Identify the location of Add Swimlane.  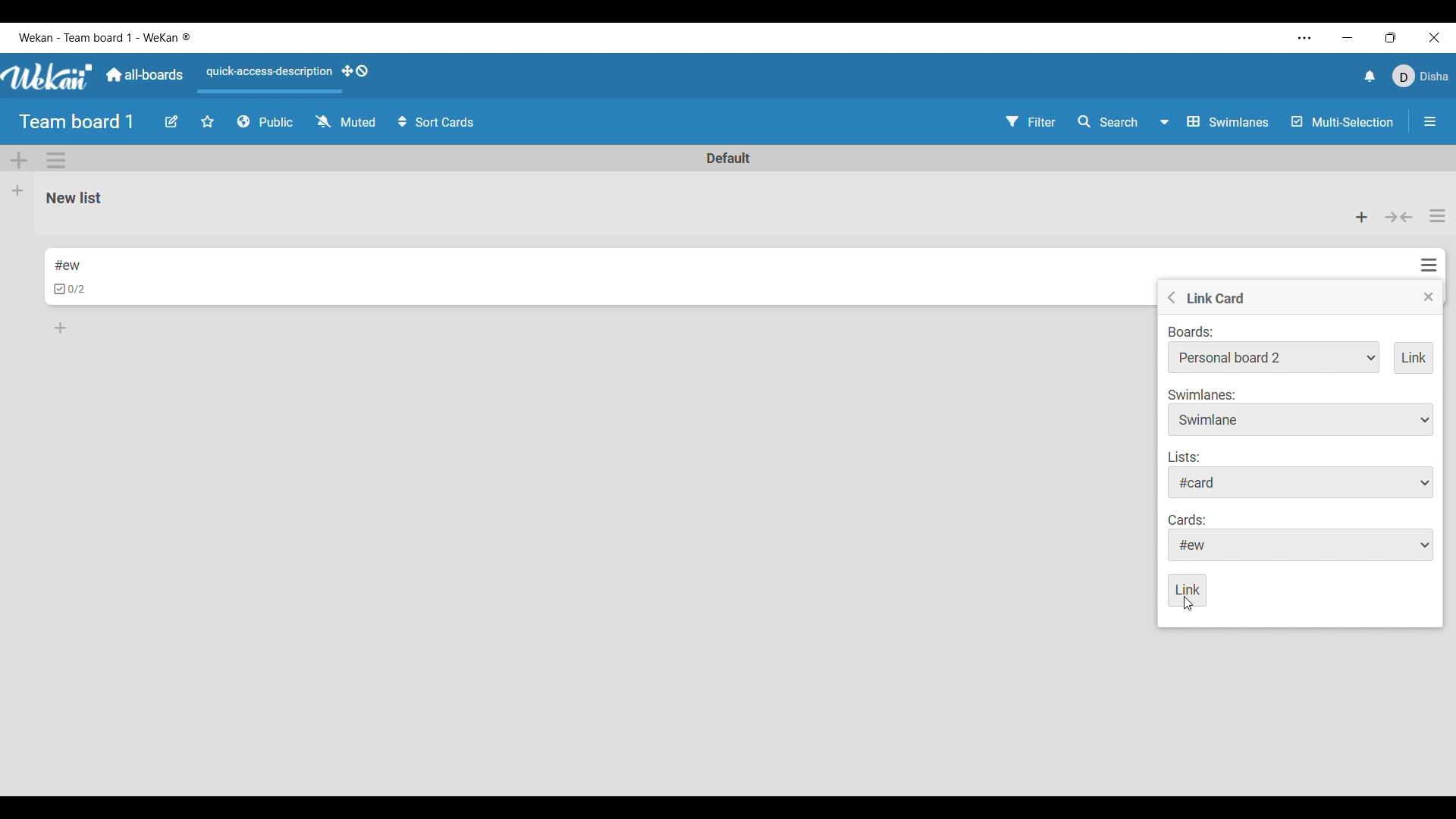
(20, 161).